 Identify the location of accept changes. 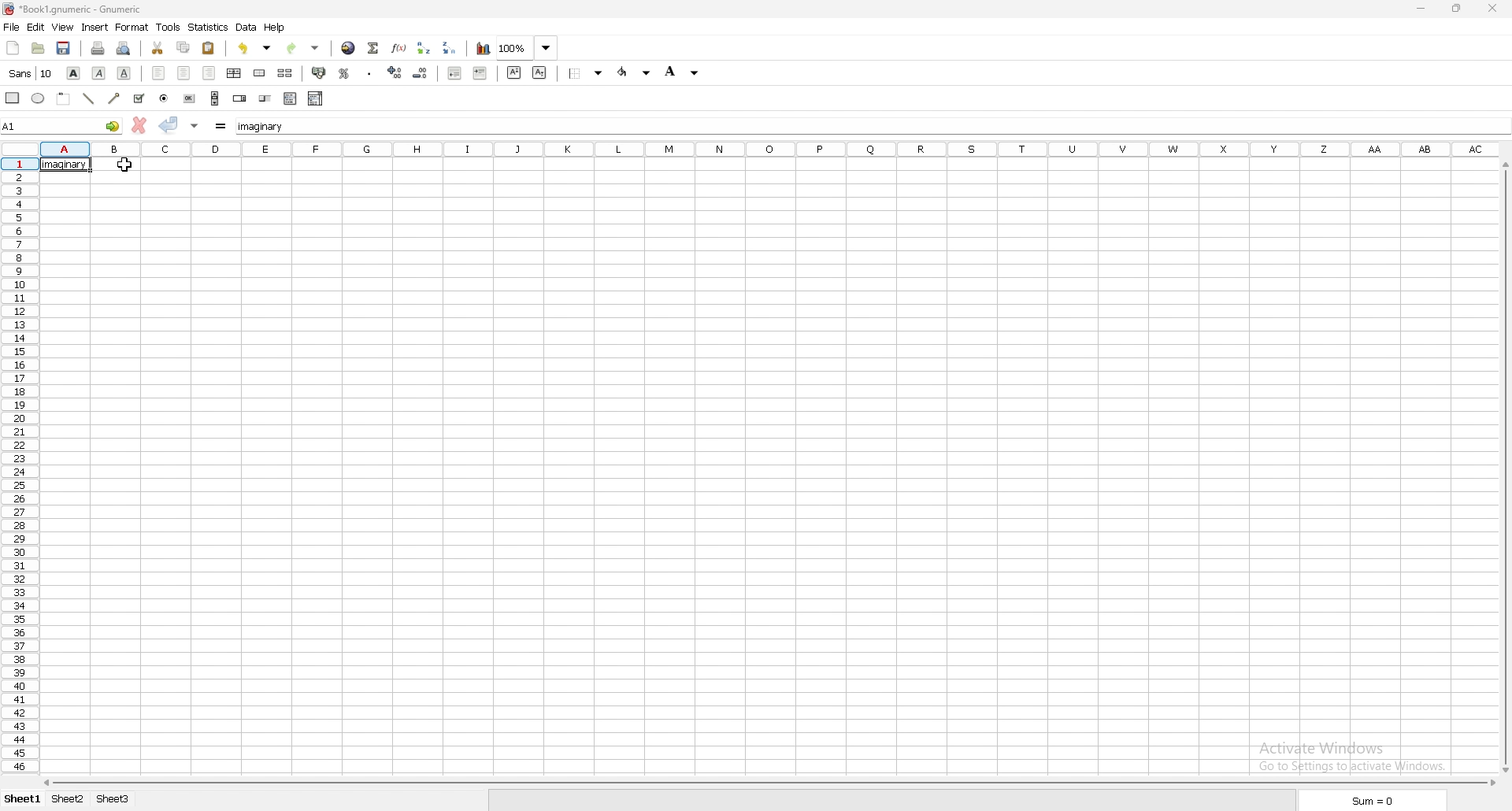
(169, 124).